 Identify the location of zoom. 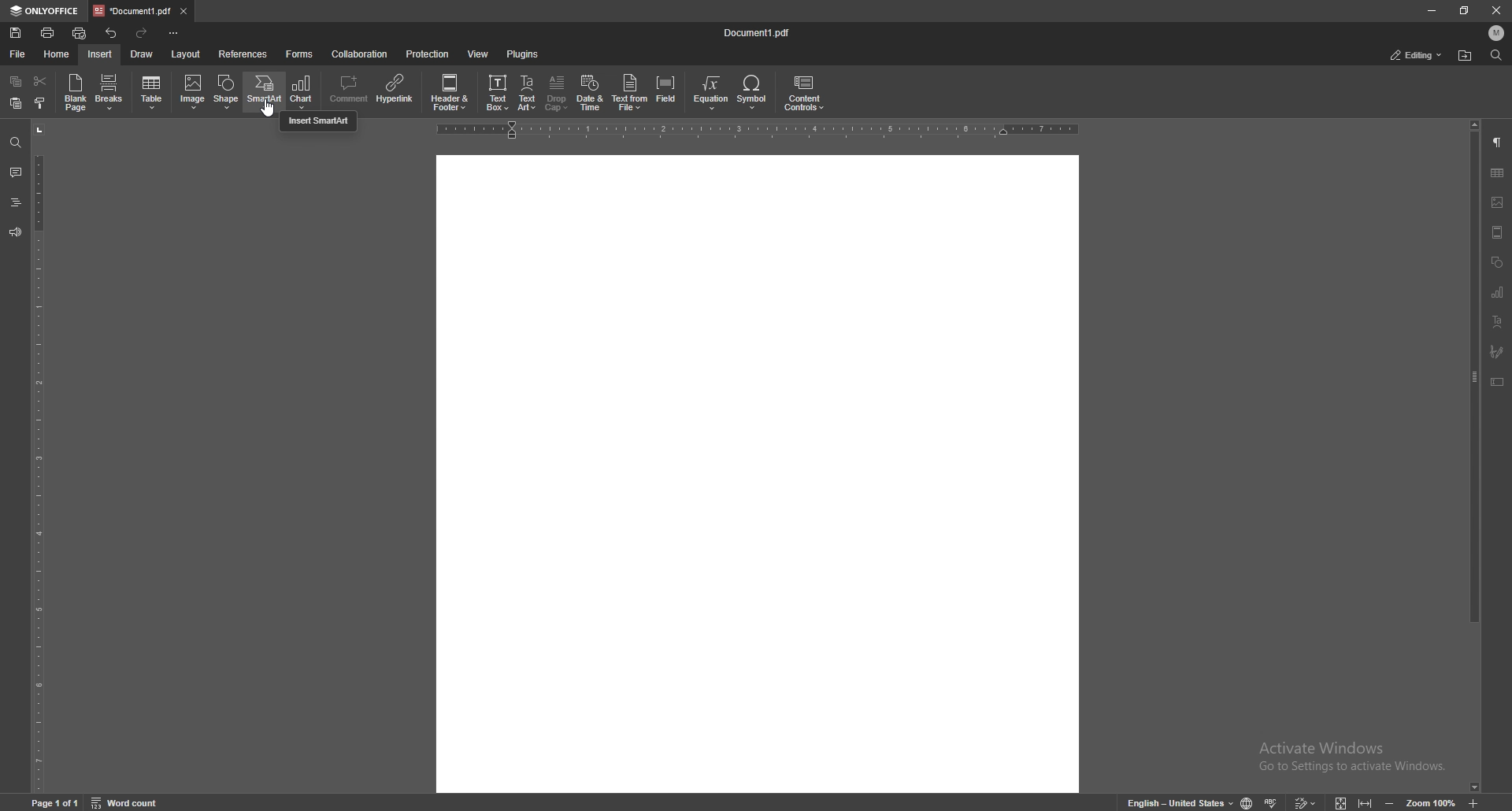
(1432, 801).